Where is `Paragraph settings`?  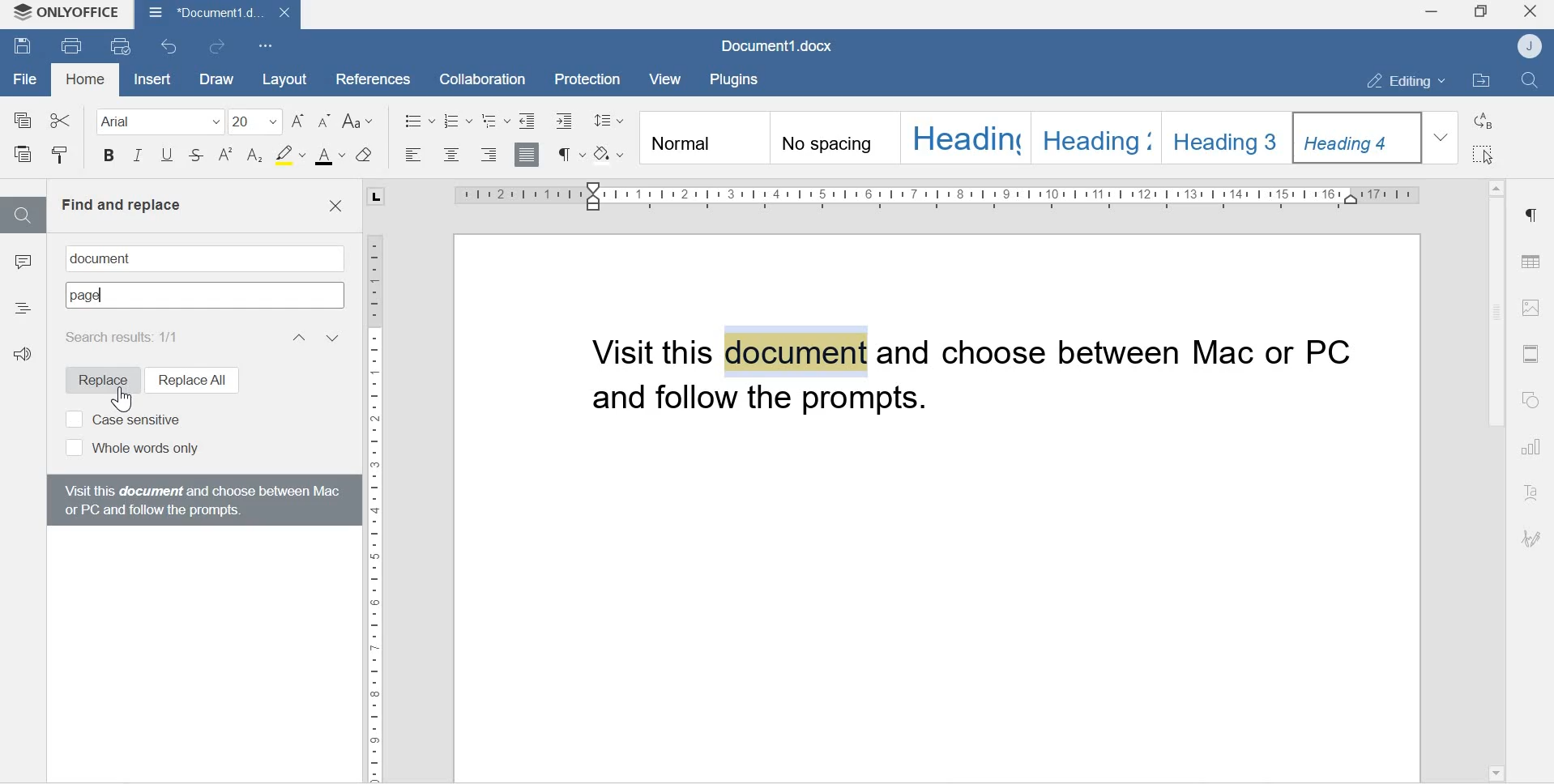 Paragraph settings is located at coordinates (1531, 215).